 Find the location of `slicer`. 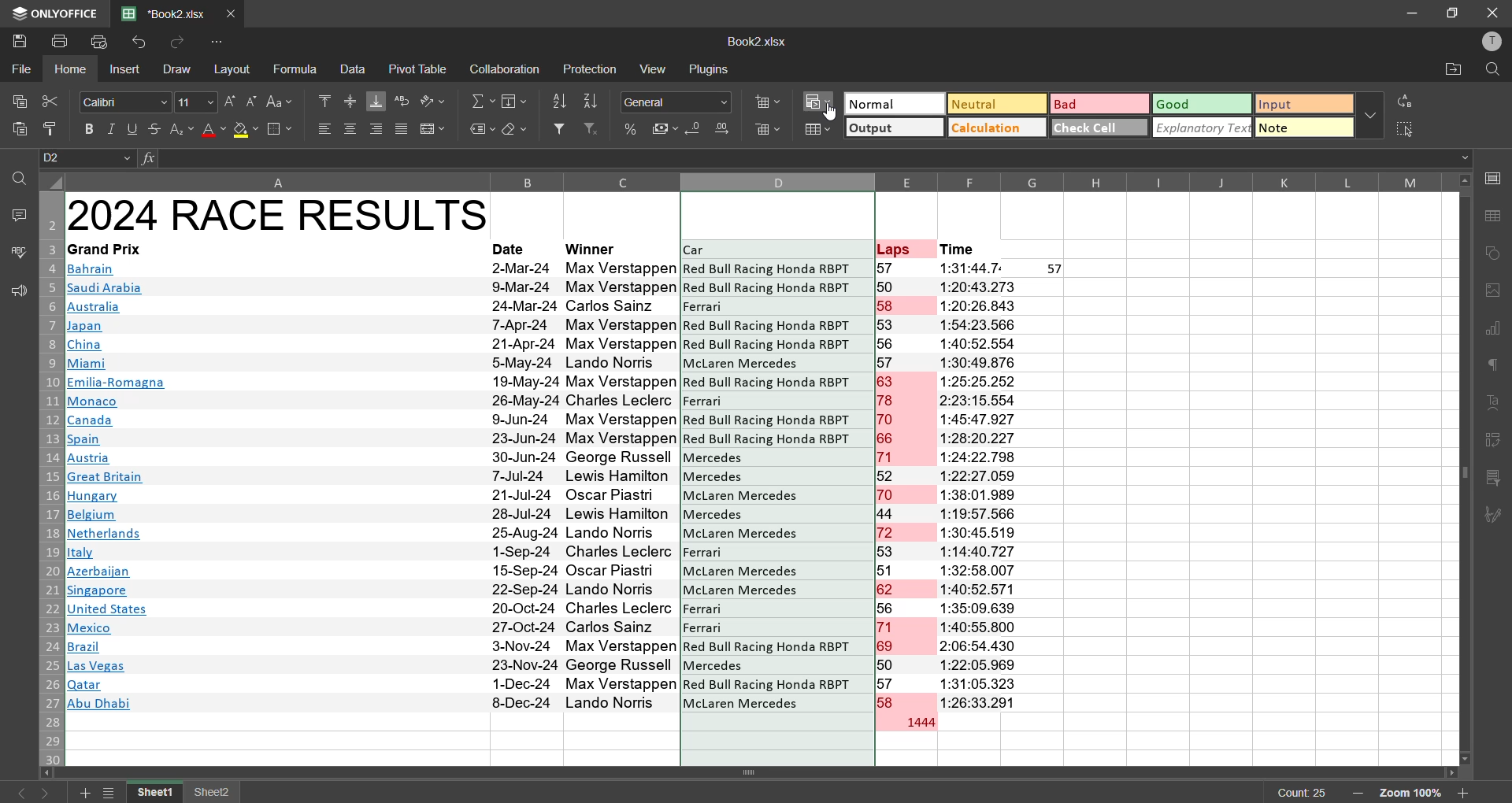

slicer is located at coordinates (1494, 479).